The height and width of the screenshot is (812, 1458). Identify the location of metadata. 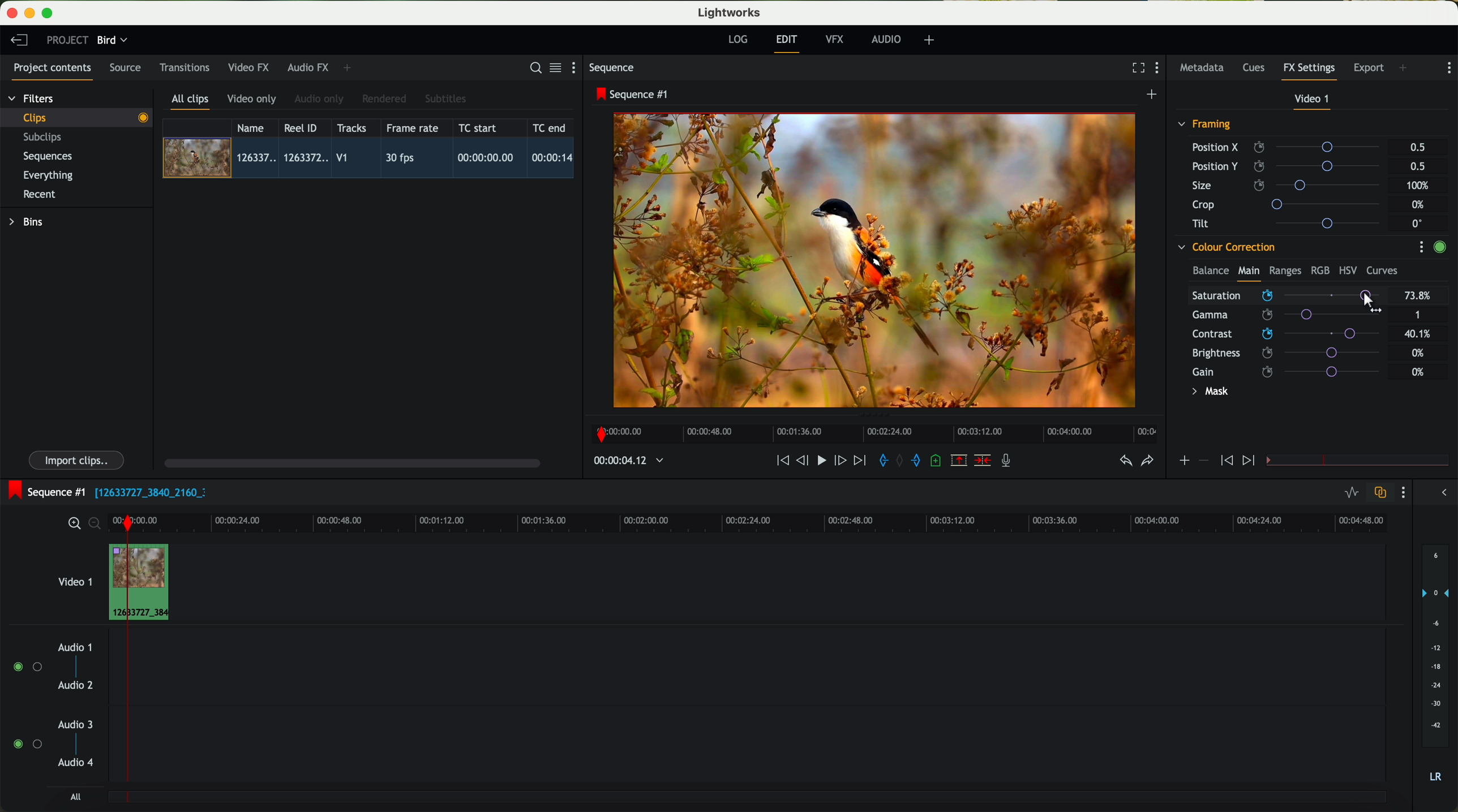
(1204, 68).